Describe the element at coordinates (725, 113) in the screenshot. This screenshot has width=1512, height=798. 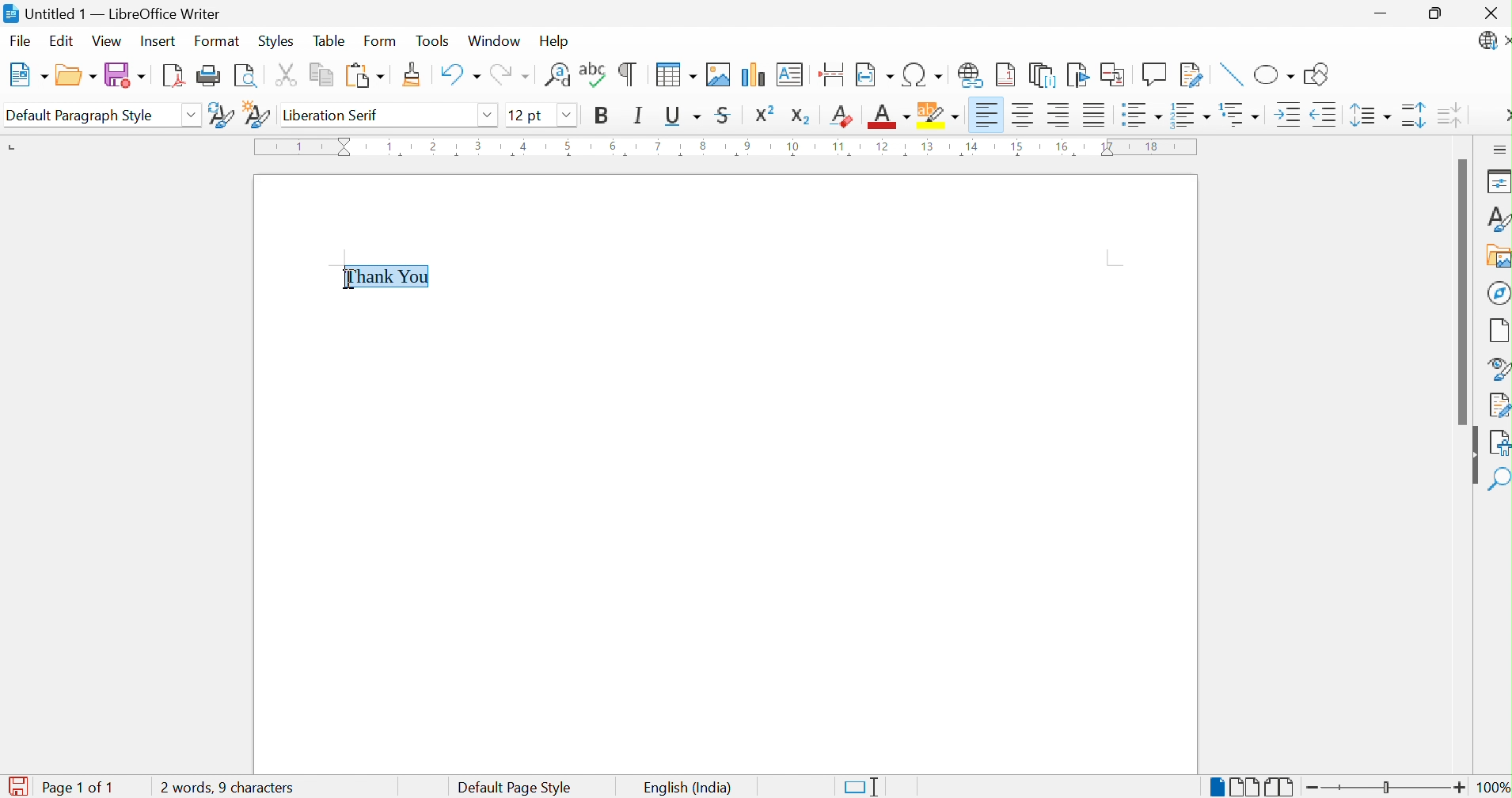
I see `Strikethrough` at that location.